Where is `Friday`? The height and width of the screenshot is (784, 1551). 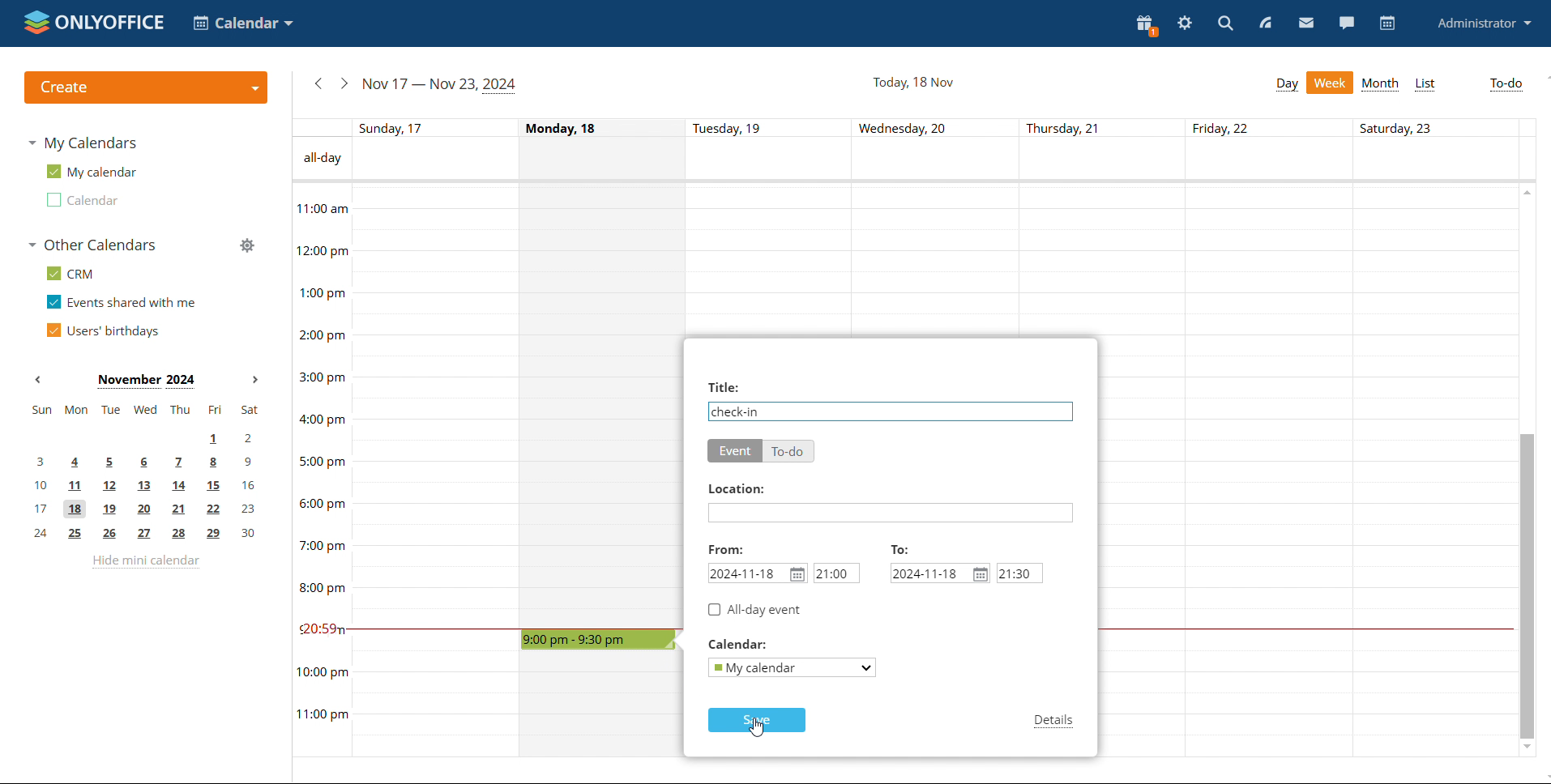
Friday is located at coordinates (1268, 471).